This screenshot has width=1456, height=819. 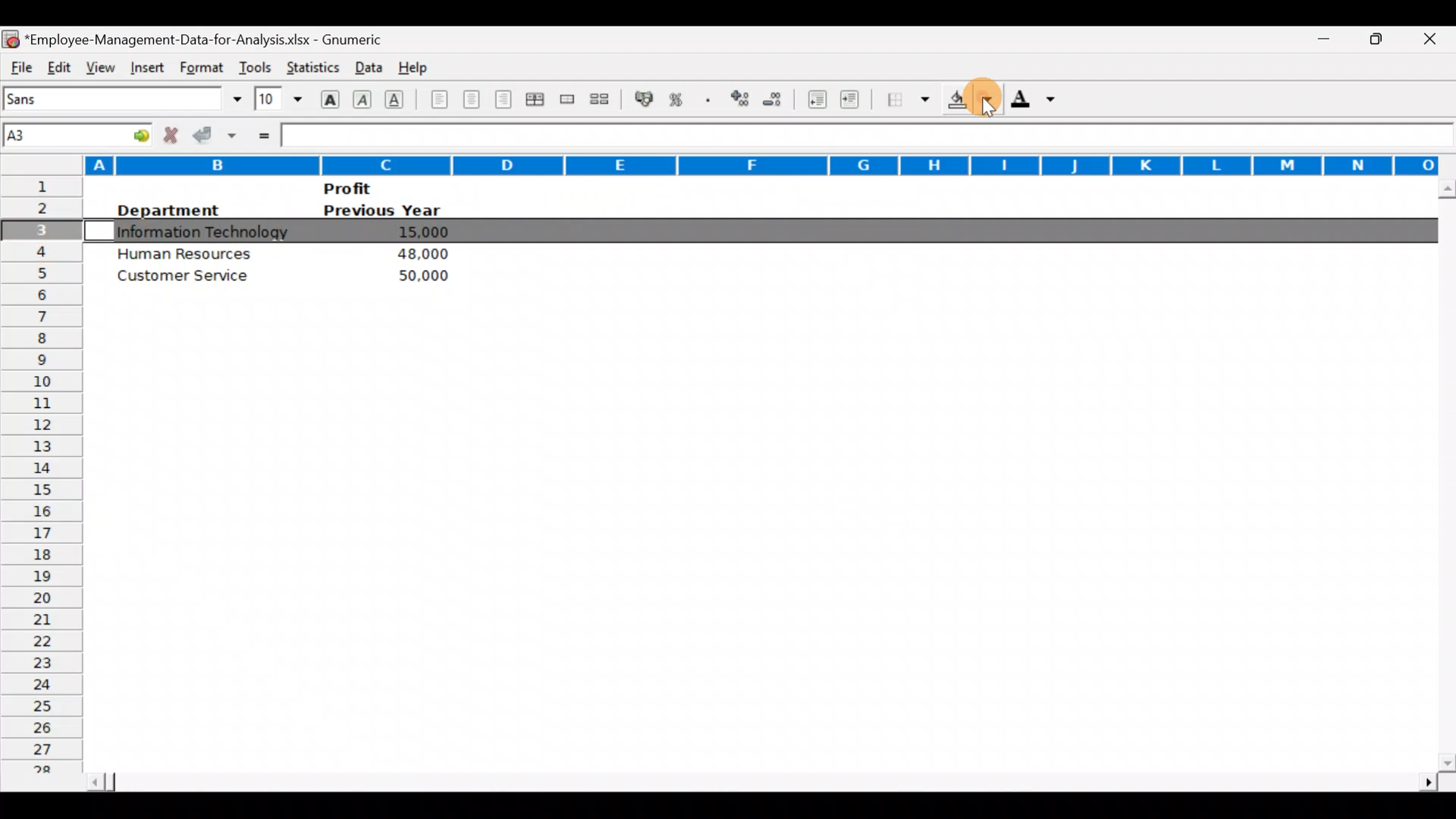 What do you see at coordinates (124, 99) in the screenshot?
I see `Font name` at bounding box center [124, 99].